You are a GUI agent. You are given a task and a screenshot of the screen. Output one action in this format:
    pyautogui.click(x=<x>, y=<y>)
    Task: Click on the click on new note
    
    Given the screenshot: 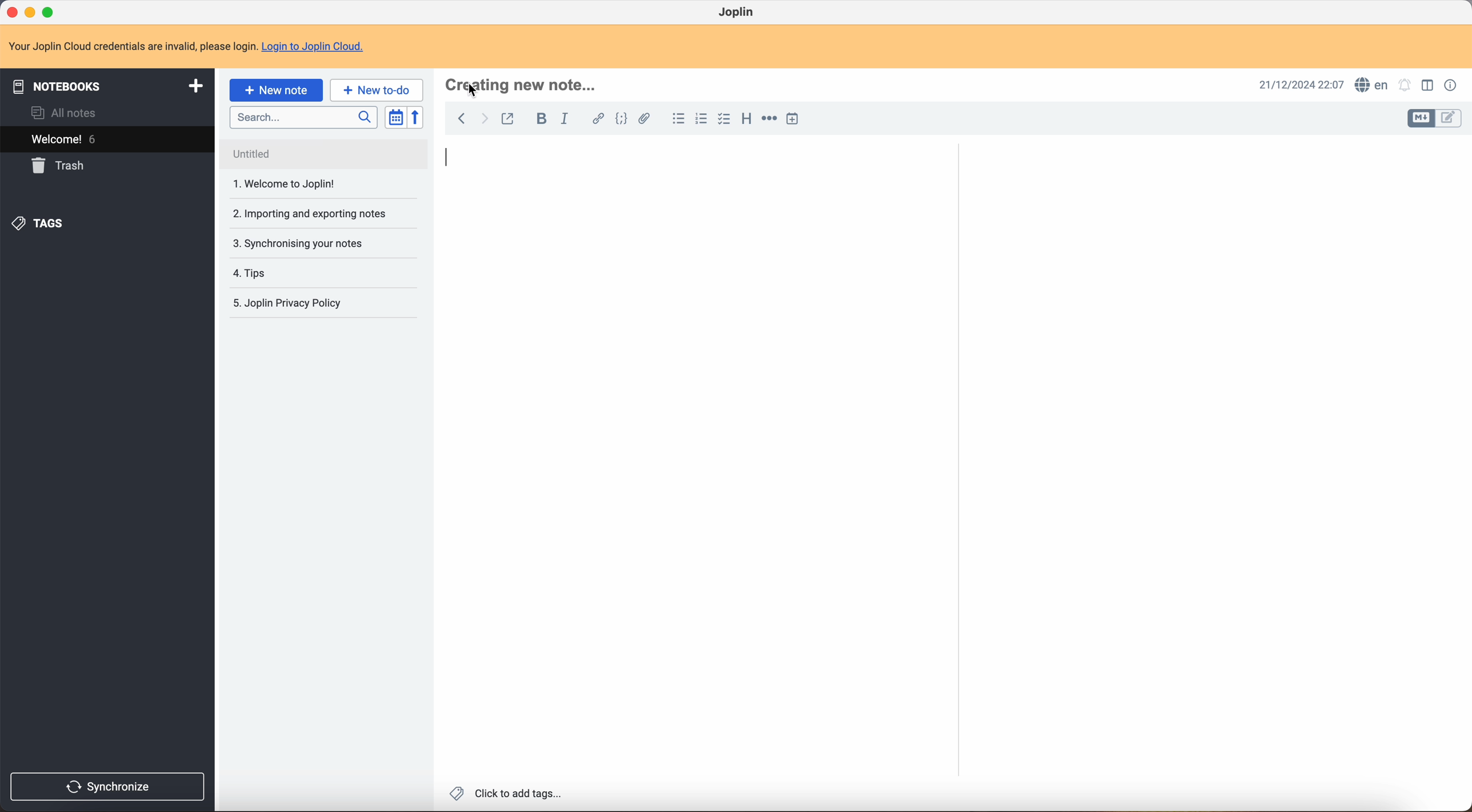 What is the action you would take?
    pyautogui.click(x=277, y=91)
    